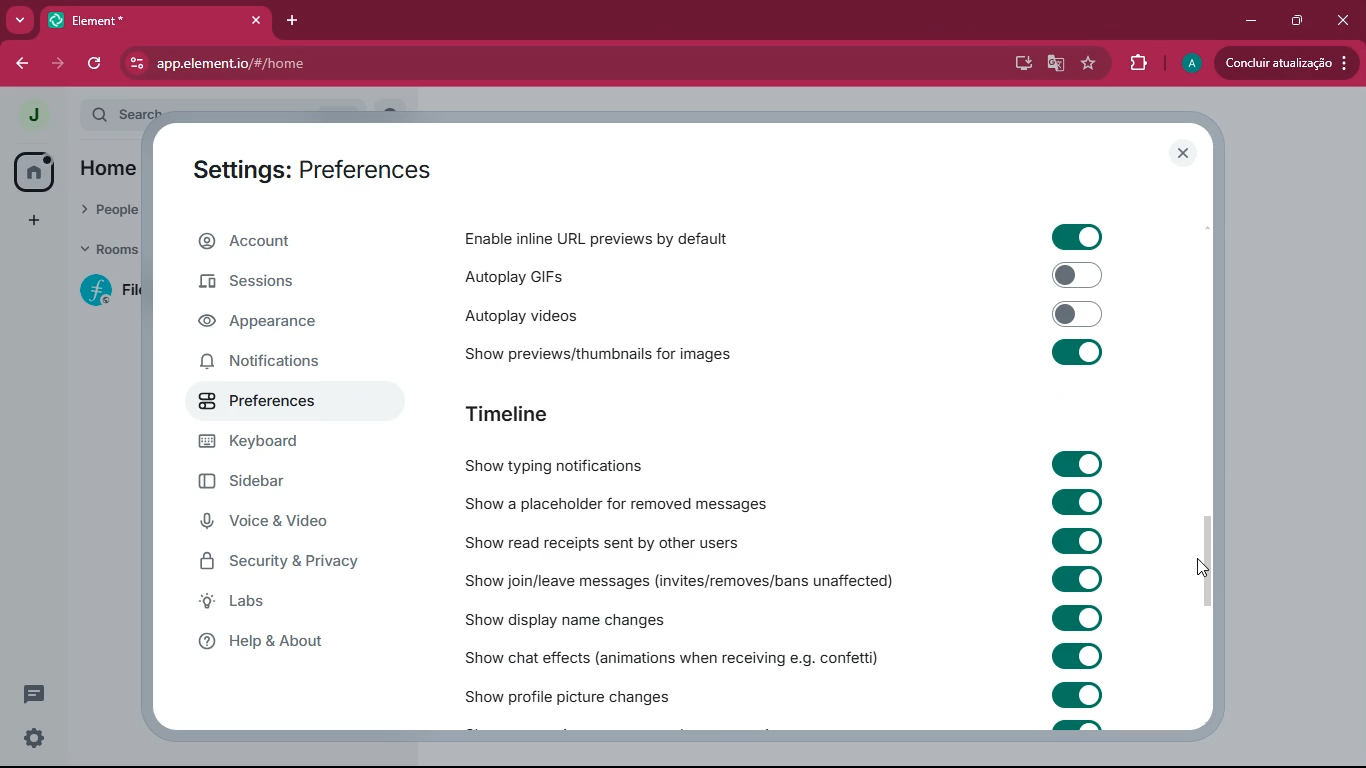  What do you see at coordinates (258, 21) in the screenshot?
I see `close tab` at bounding box center [258, 21].